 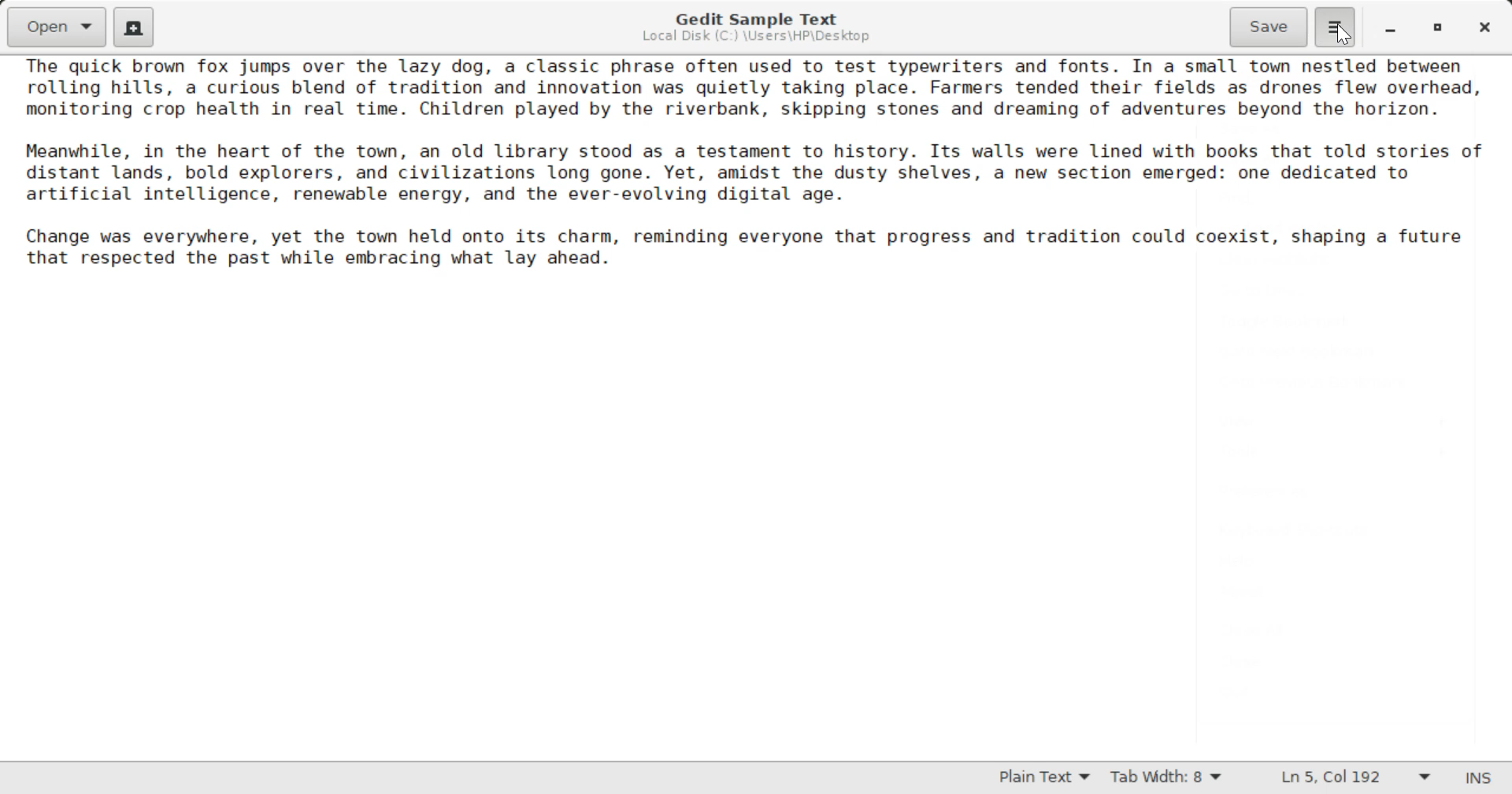 What do you see at coordinates (1333, 26) in the screenshot?
I see `Options Menu` at bounding box center [1333, 26].